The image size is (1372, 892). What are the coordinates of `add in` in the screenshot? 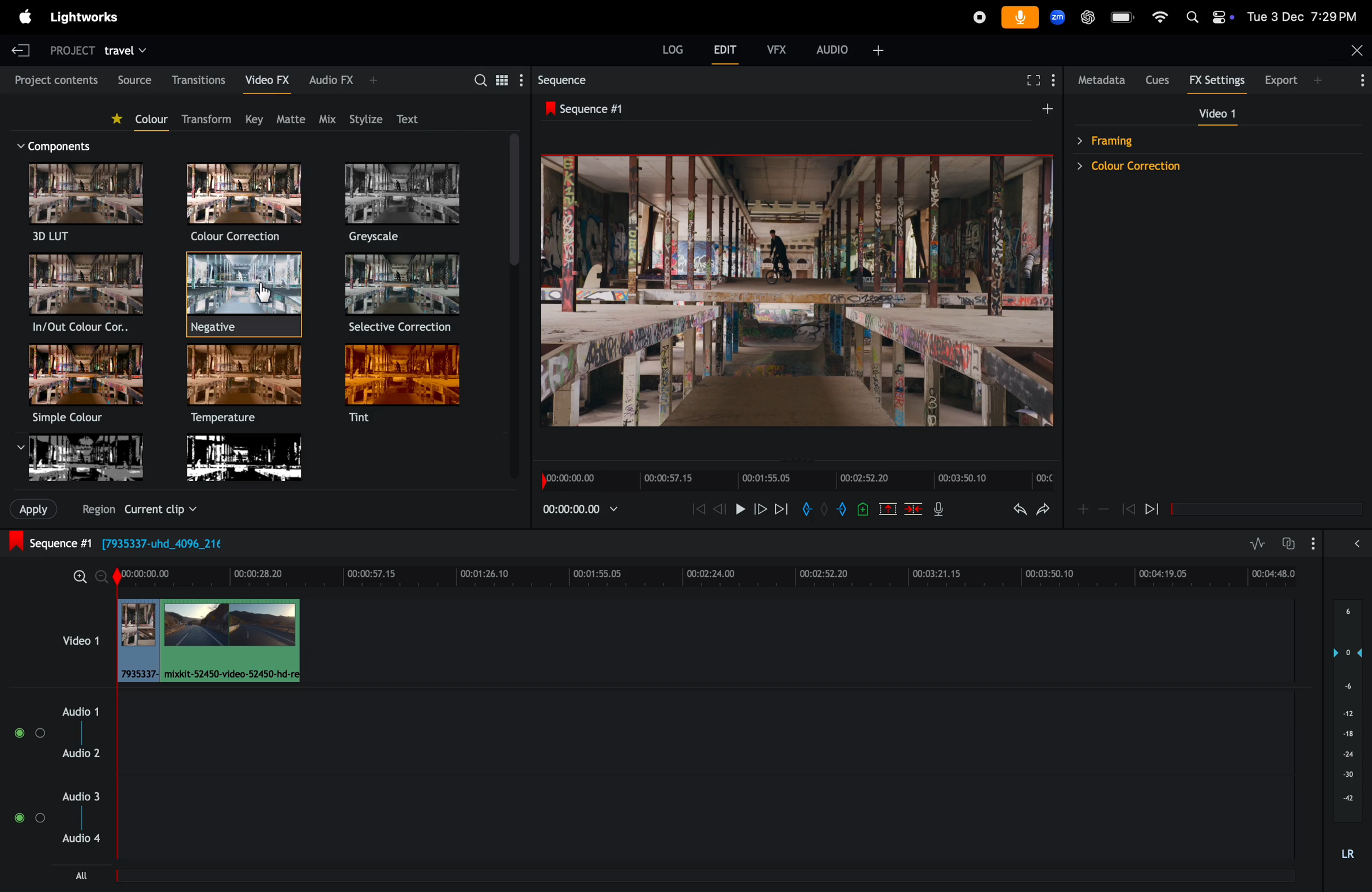 It's located at (806, 510).